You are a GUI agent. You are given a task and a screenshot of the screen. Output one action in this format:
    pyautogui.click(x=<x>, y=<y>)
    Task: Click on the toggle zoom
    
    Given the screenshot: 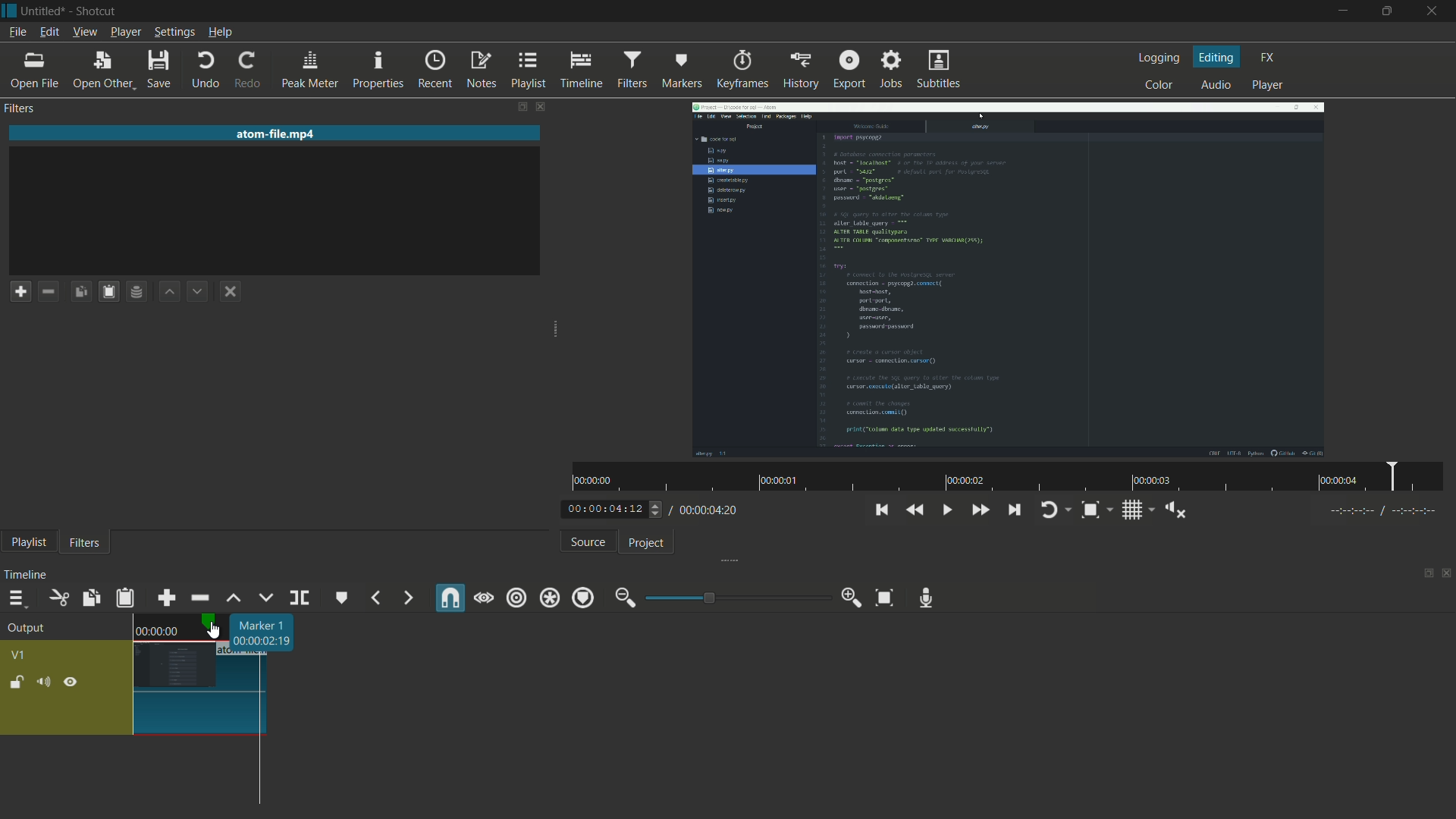 What is the action you would take?
    pyautogui.click(x=1091, y=510)
    